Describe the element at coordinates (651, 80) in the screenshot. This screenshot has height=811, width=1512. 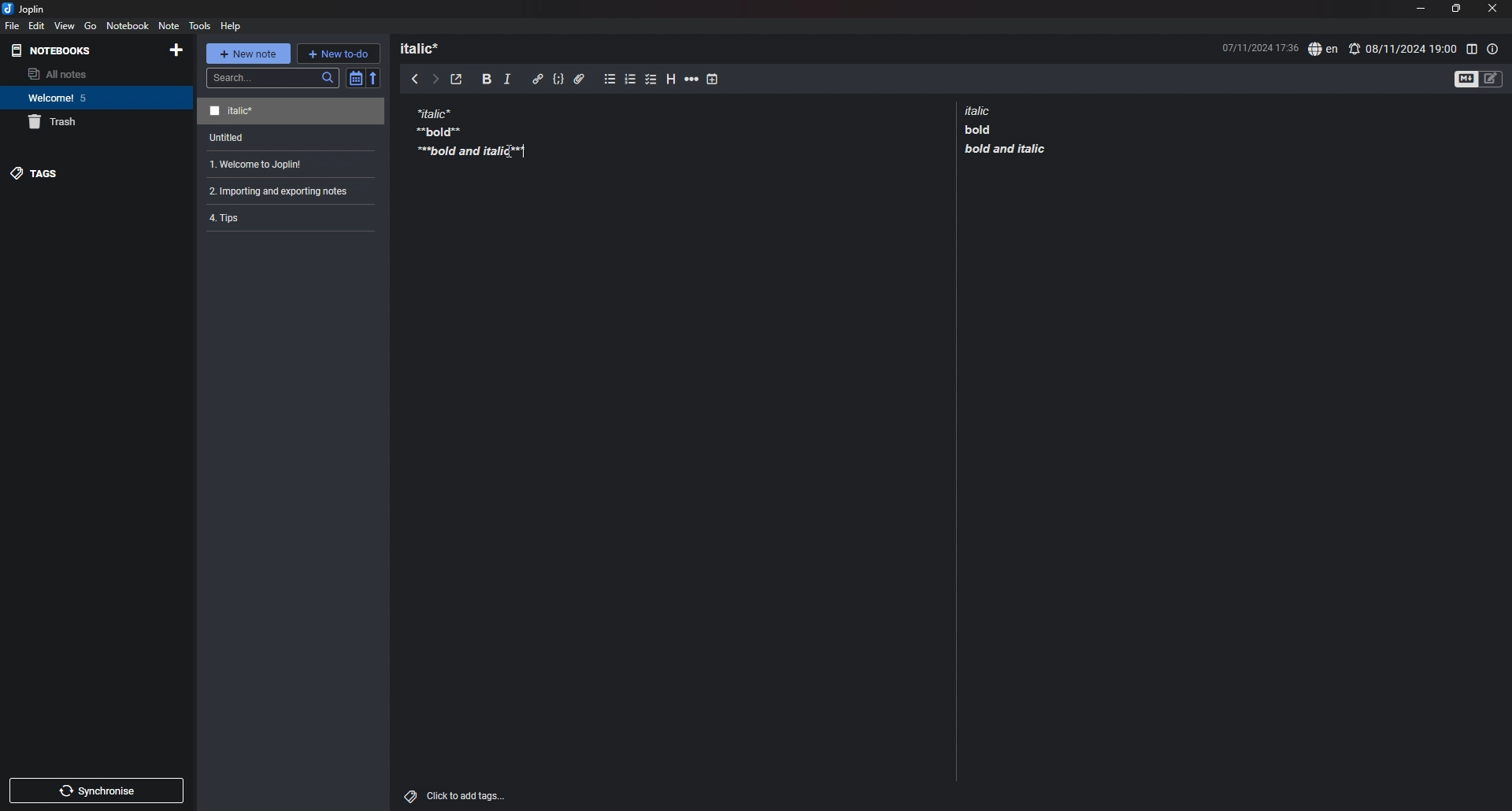
I see `checkbox` at that location.